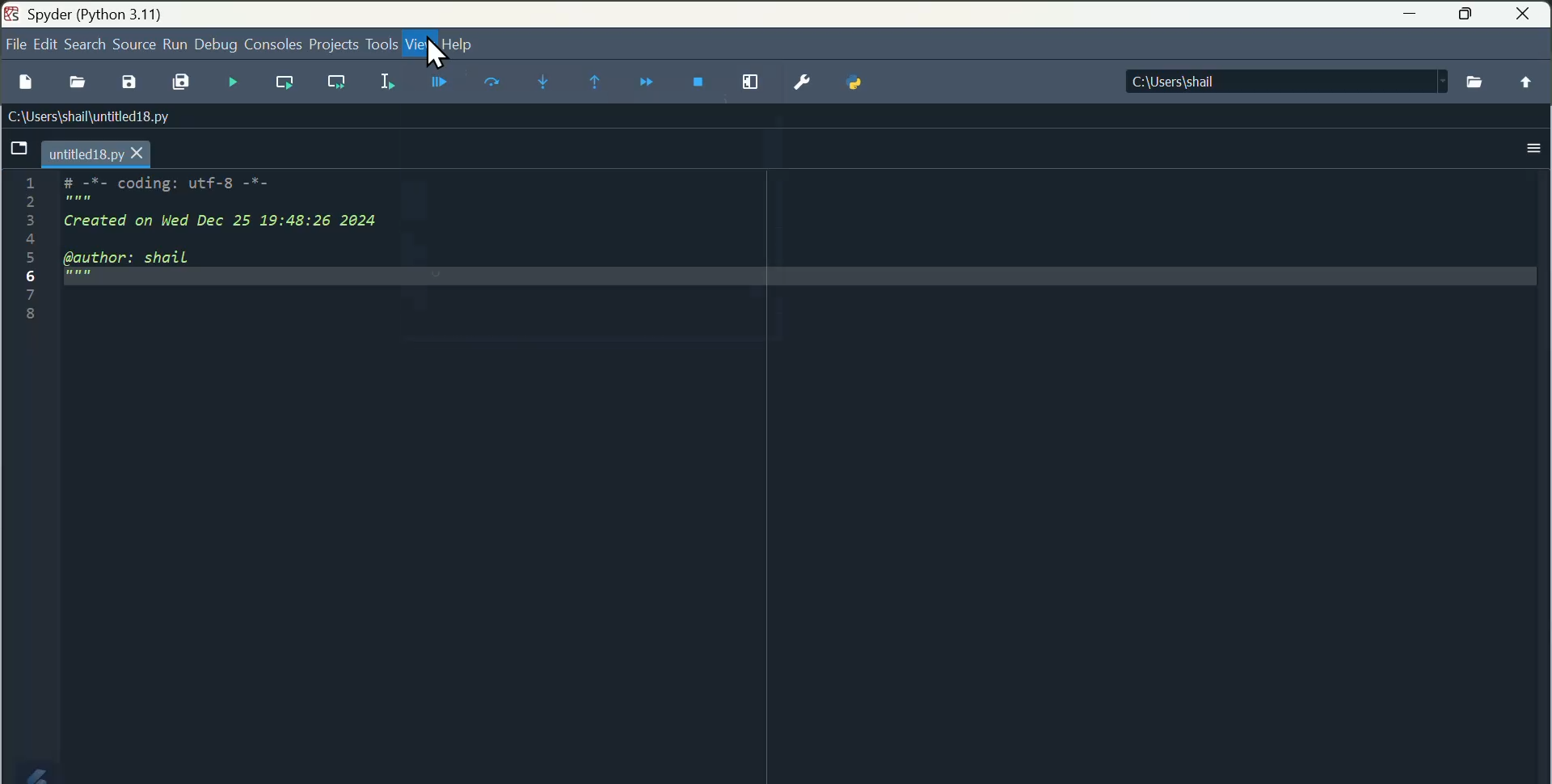 The image size is (1552, 784). Describe the element at coordinates (86, 115) in the screenshot. I see `C:\Users\shail\untitled18.py` at that location.